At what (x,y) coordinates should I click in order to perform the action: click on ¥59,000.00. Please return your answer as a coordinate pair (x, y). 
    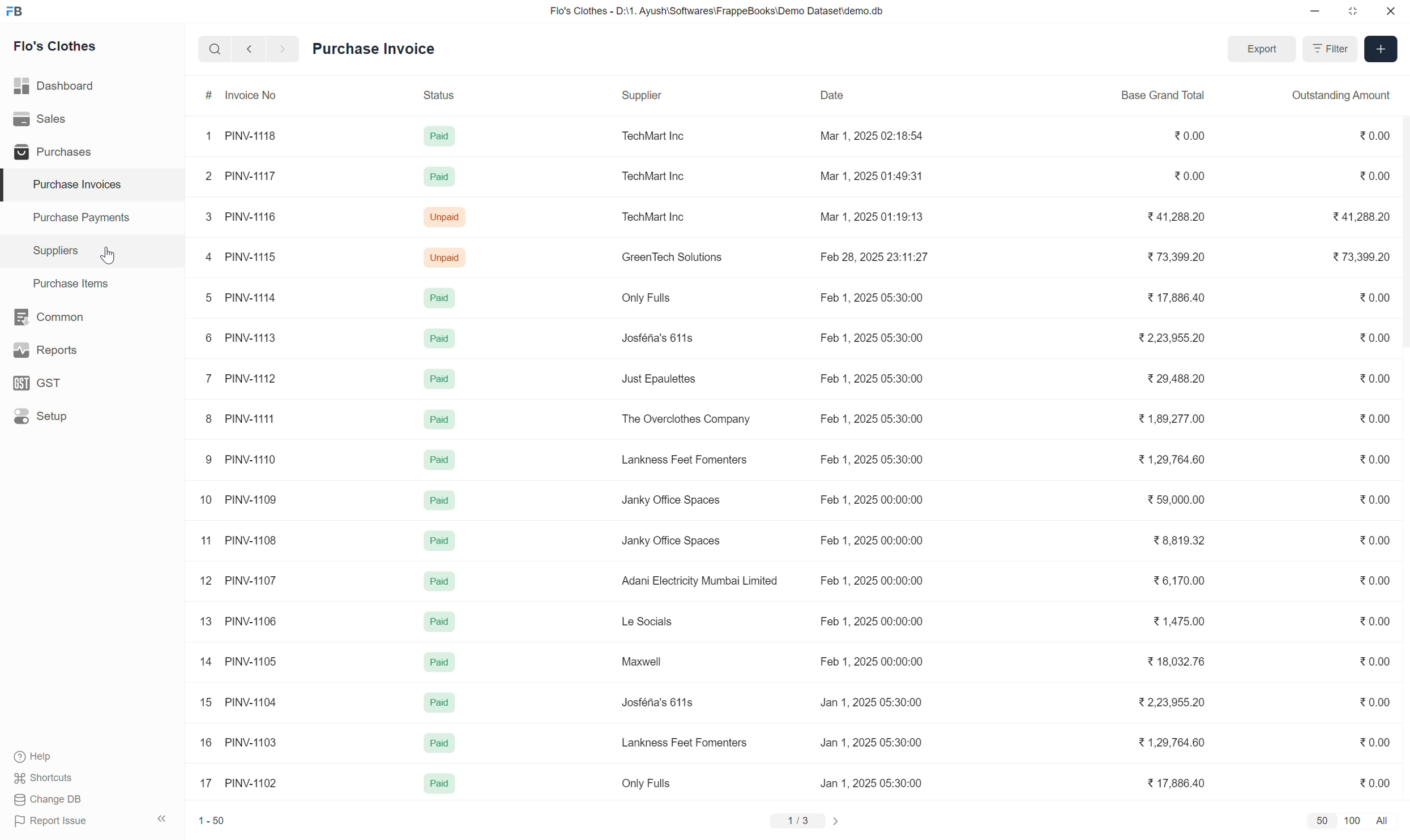
    Looking at the image, I should click on (1172, 500).